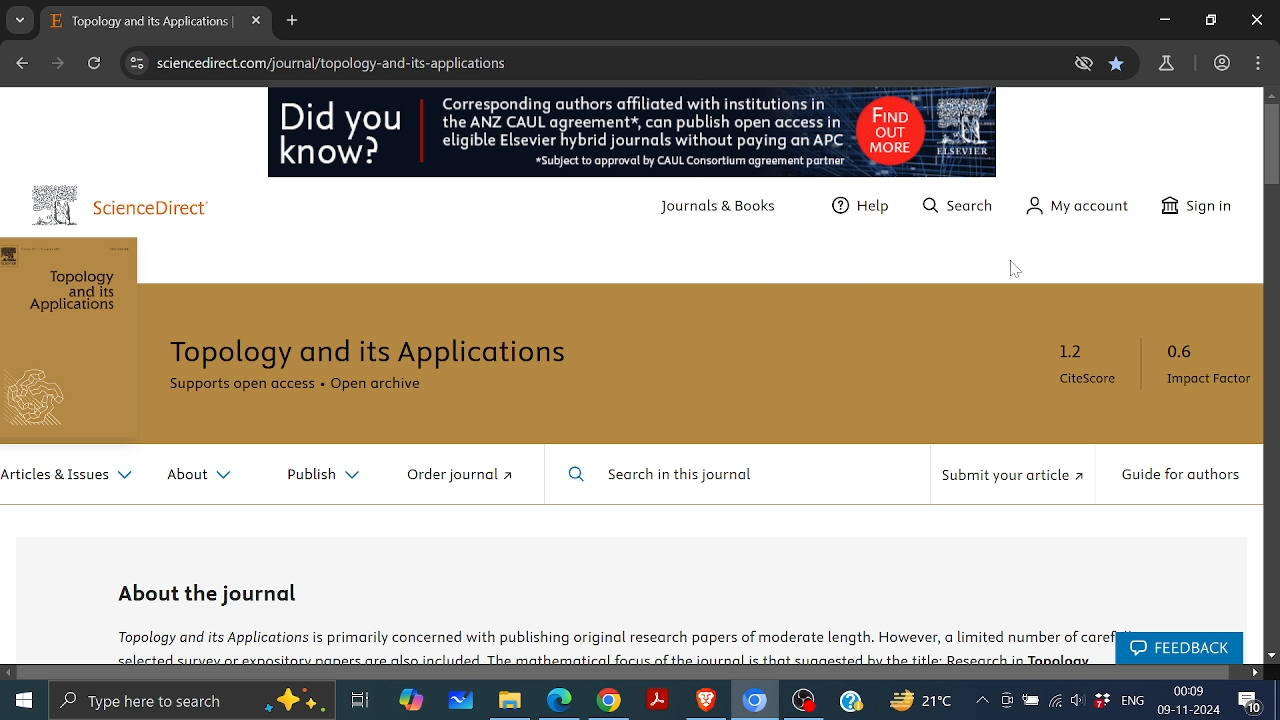 The image size is (1280, 720). Describe the element at coordinates (1203, 368) in the screenshot. I see `0.6 Impact factor` at that location.